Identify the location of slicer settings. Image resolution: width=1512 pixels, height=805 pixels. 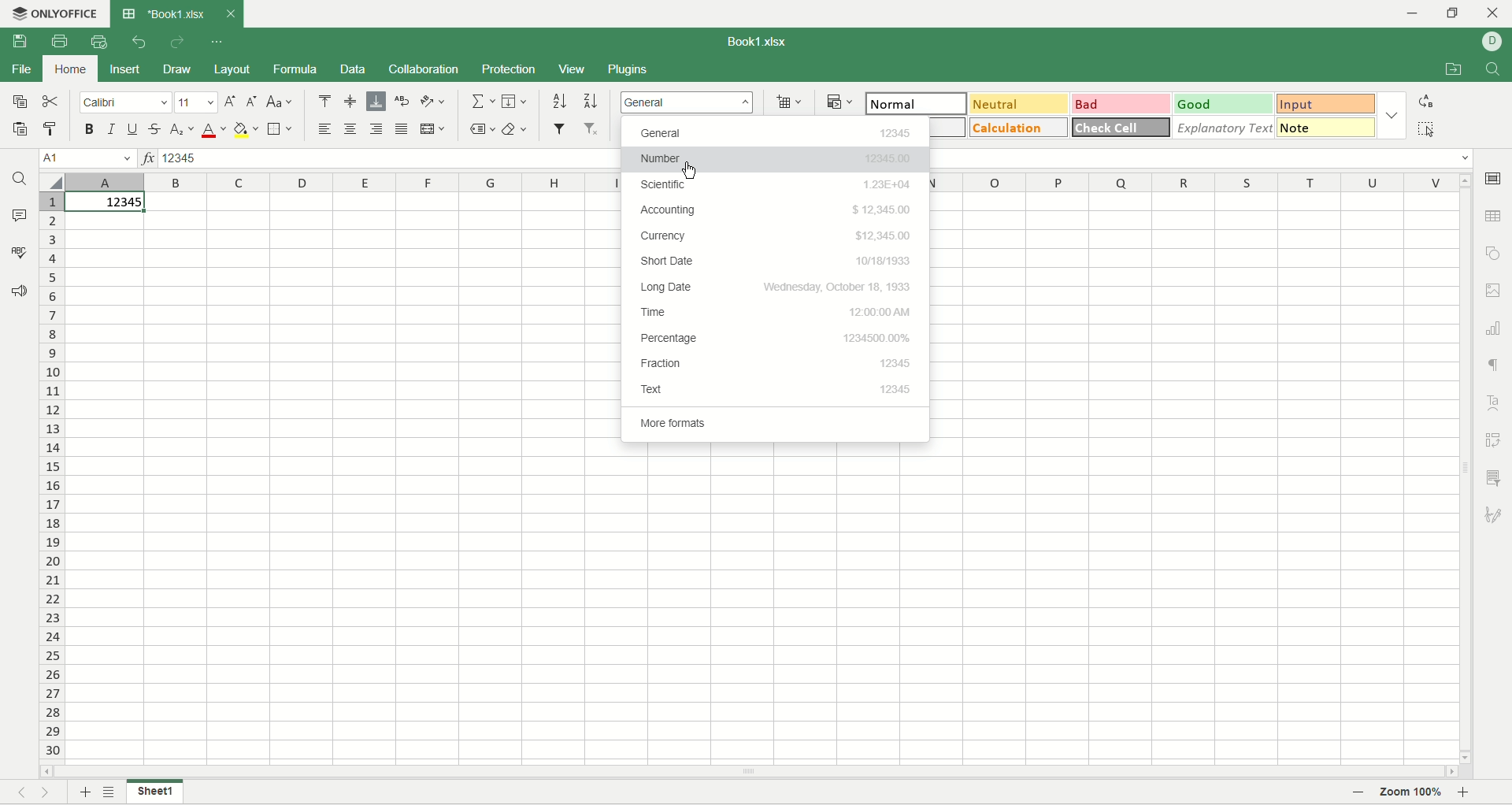
(1497, 480).